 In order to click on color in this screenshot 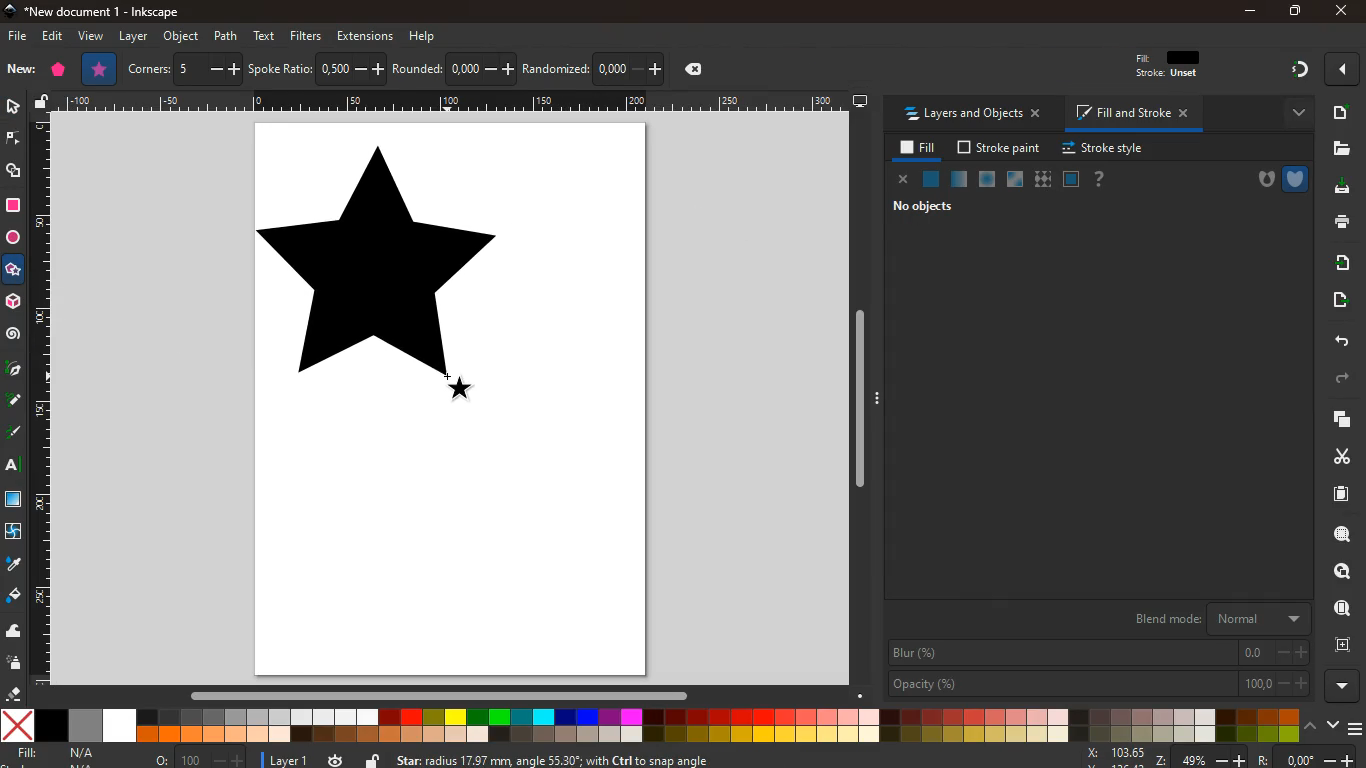, I will do `click(650, 726)`.